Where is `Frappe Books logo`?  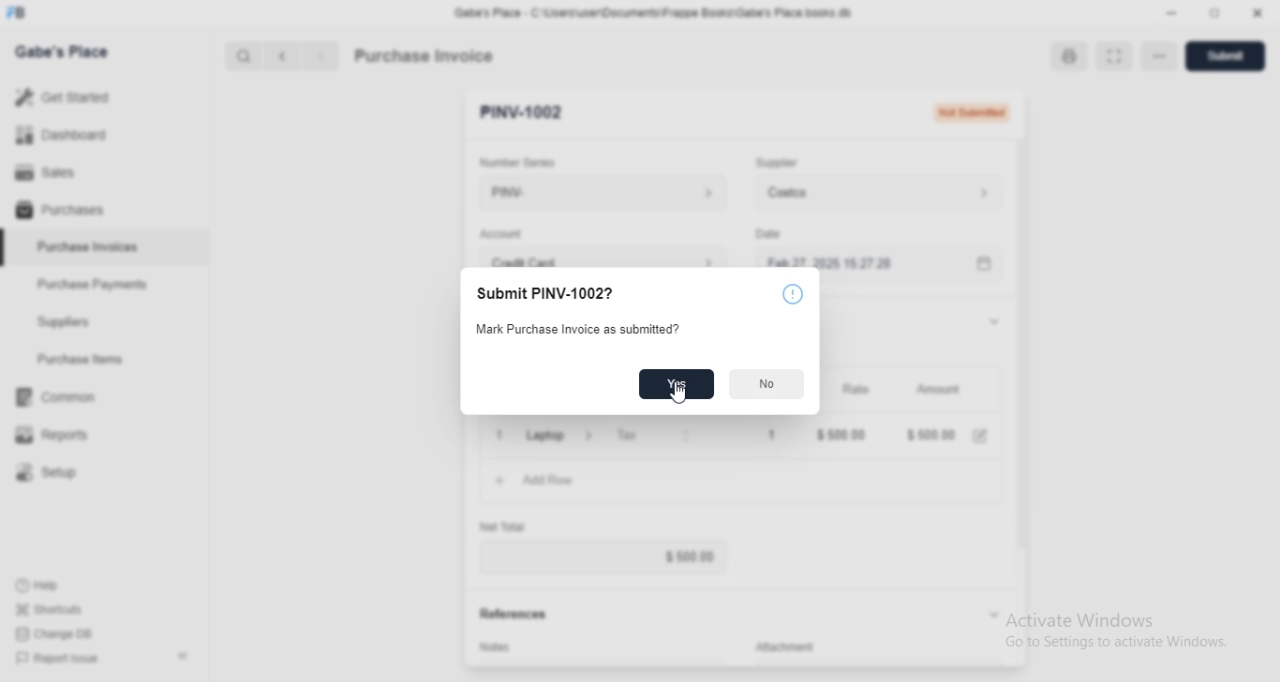
Frappe Books logo is located at coordinates (15, 12).